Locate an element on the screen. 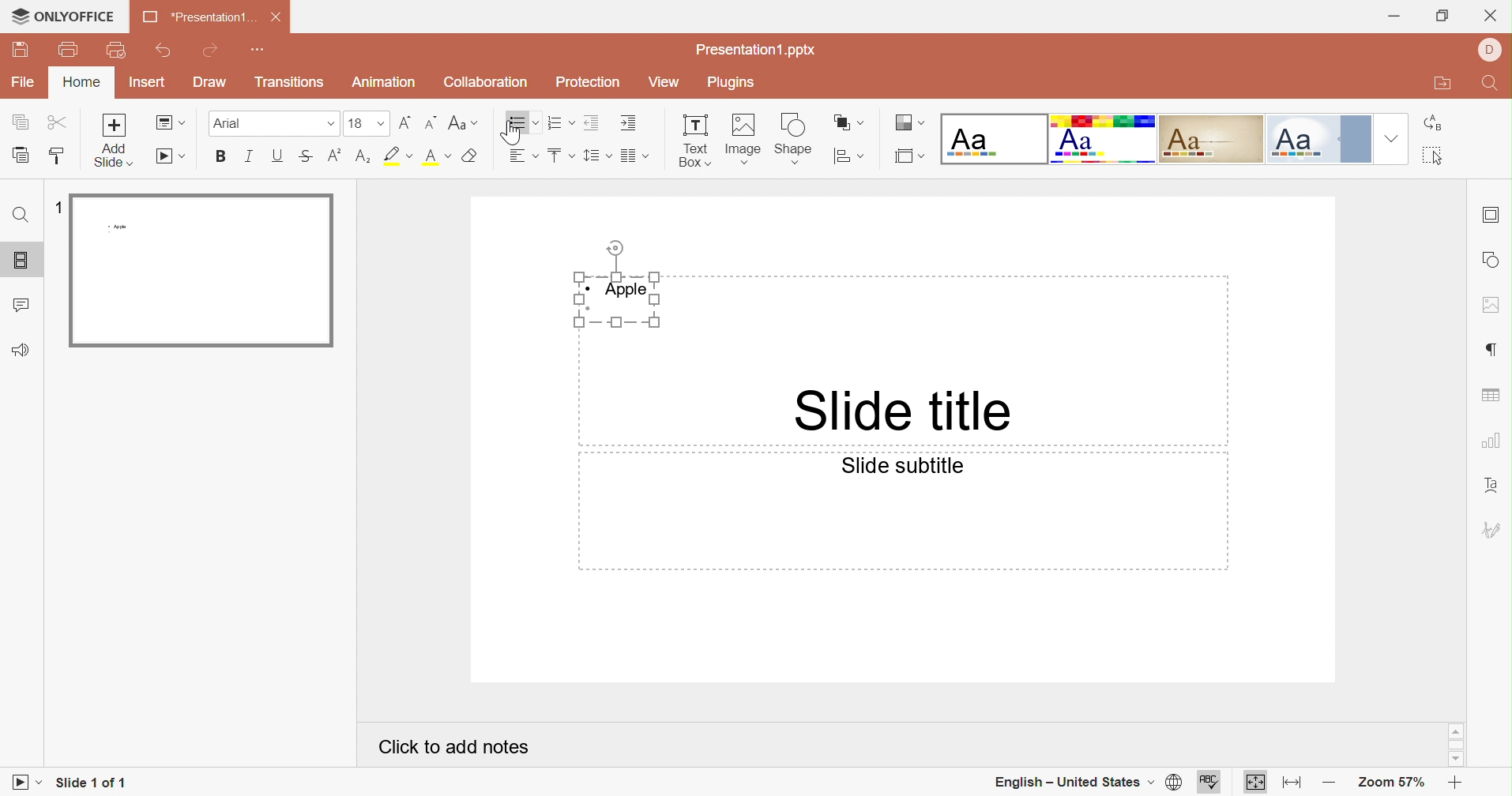  Select all is located at coordinates (1440, 159).